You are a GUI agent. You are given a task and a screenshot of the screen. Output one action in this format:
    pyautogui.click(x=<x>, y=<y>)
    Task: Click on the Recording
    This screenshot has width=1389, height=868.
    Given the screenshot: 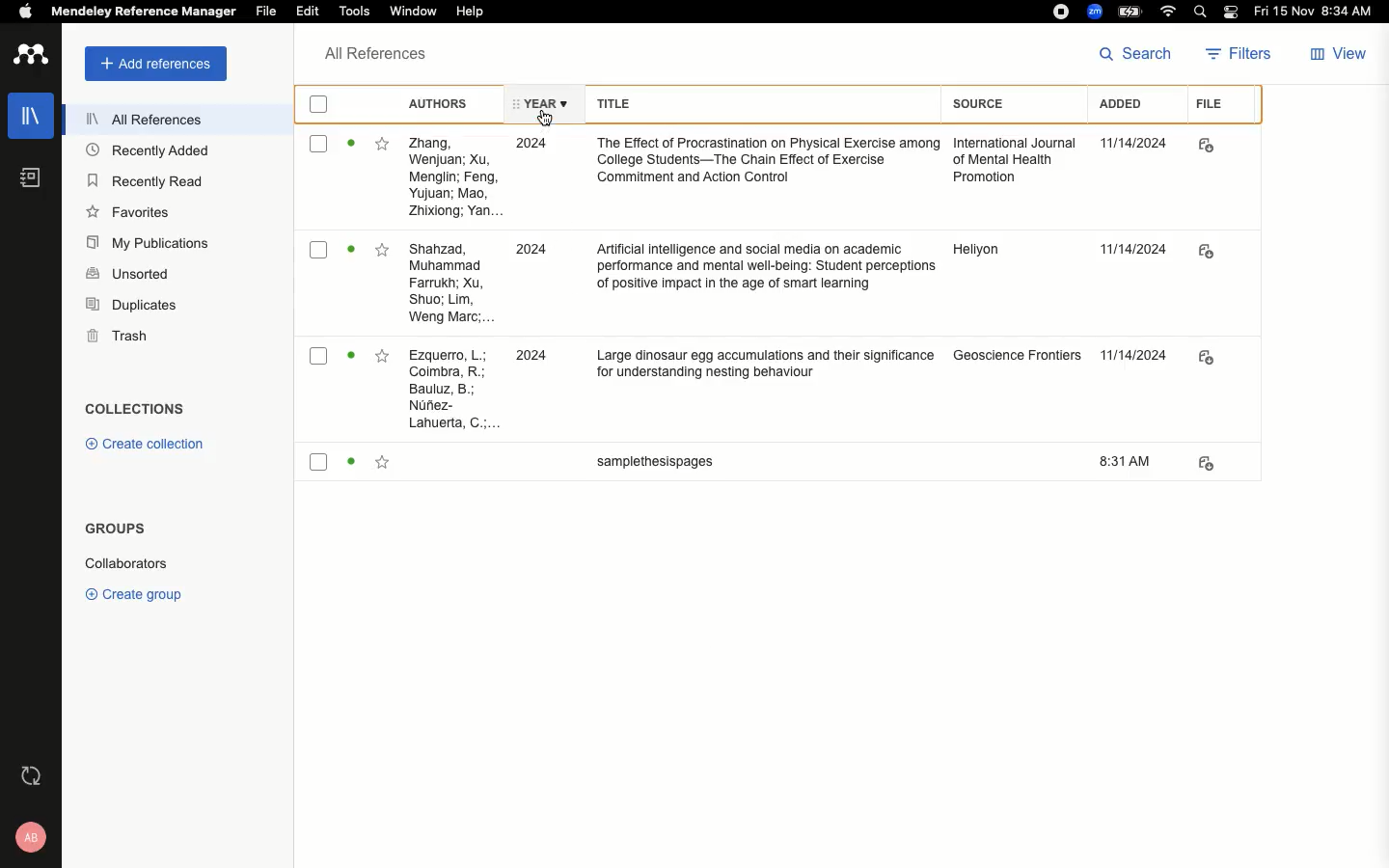 What is the action you would take?
    pyautogui.click(x=1059, y=13)
    